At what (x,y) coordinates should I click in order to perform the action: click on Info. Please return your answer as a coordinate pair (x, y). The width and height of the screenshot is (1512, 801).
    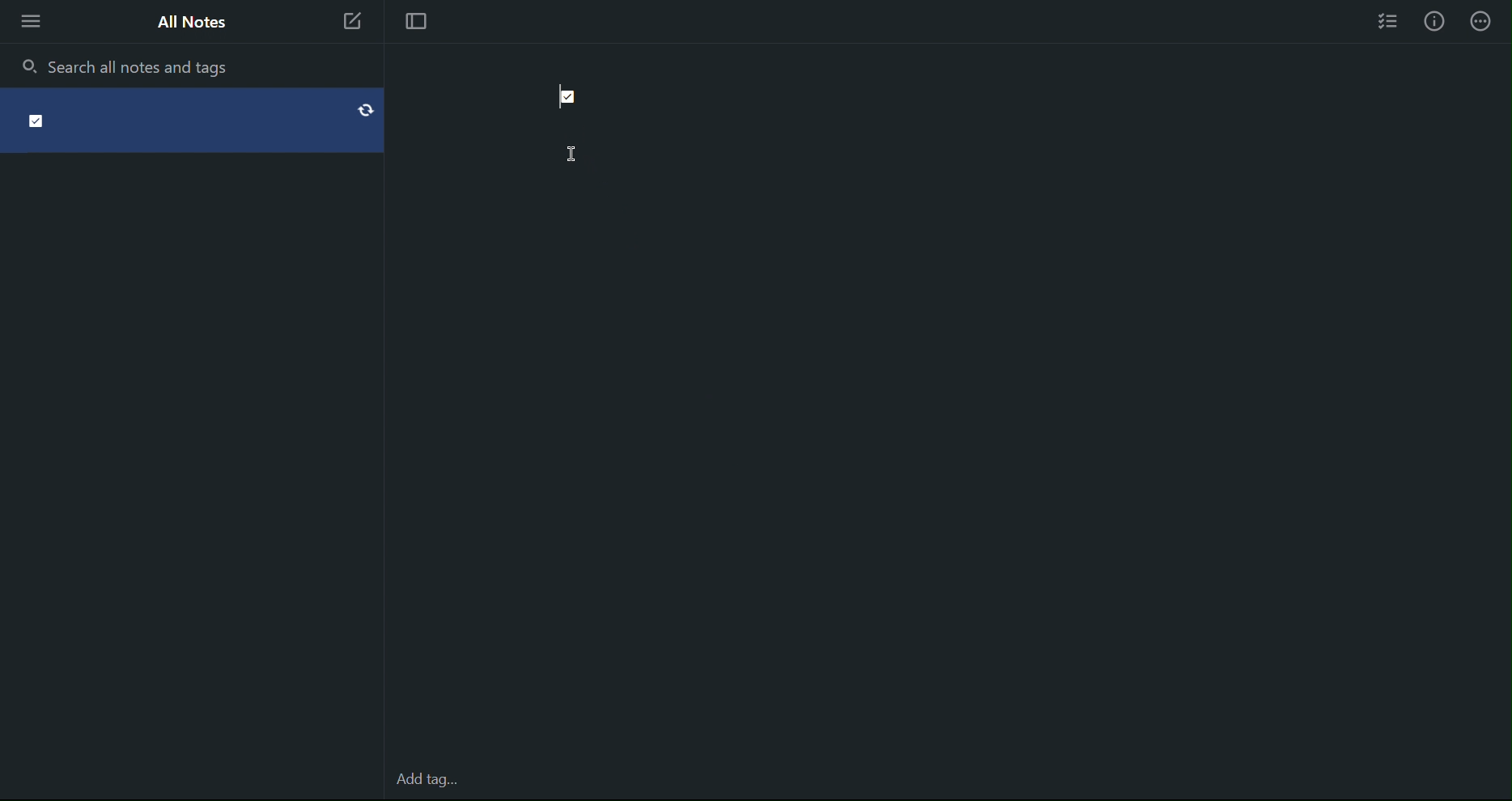
    Looking at the image, I should click on (1437, 22).